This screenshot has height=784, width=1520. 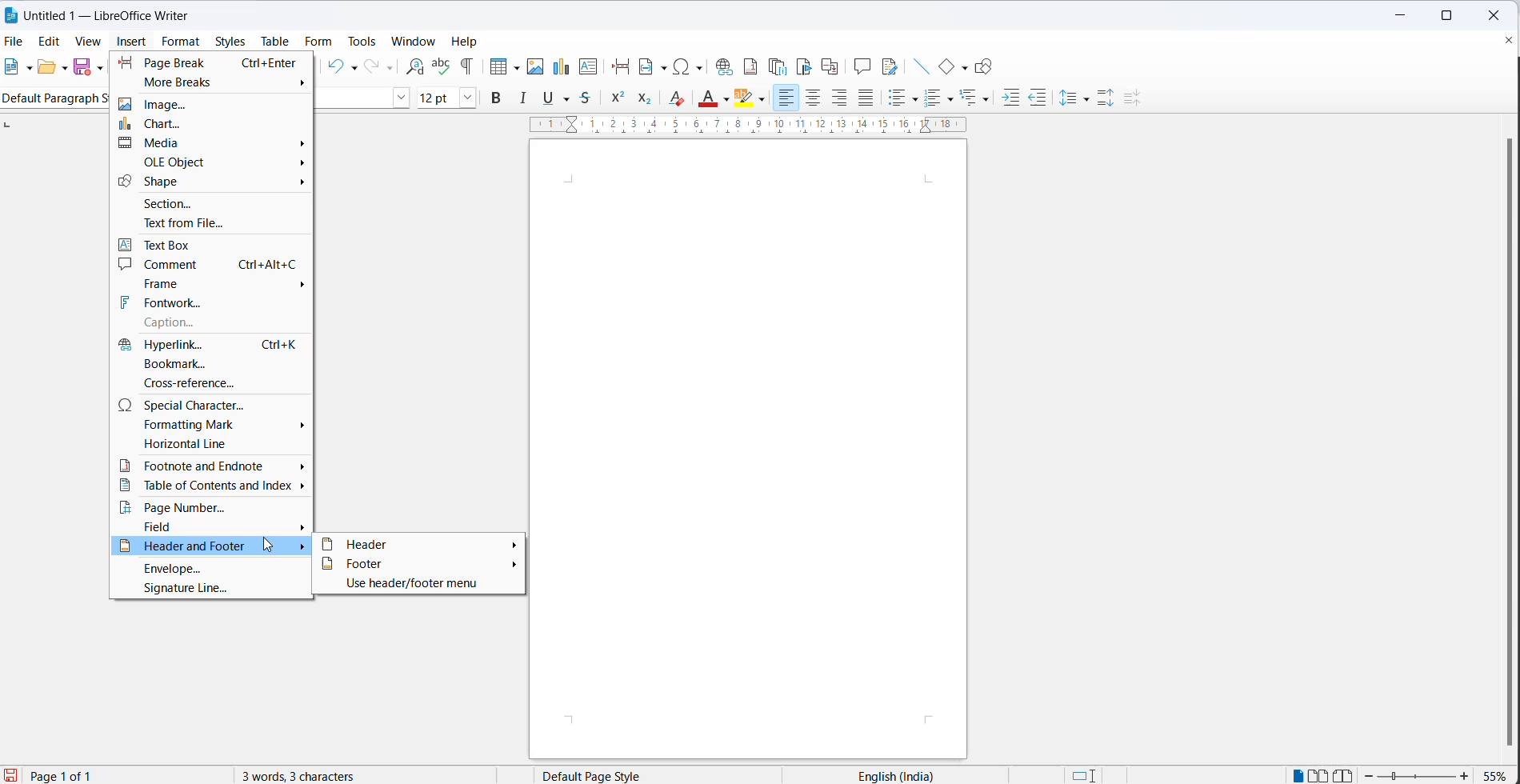 I want to click on italic, so click(x=524, y=99).